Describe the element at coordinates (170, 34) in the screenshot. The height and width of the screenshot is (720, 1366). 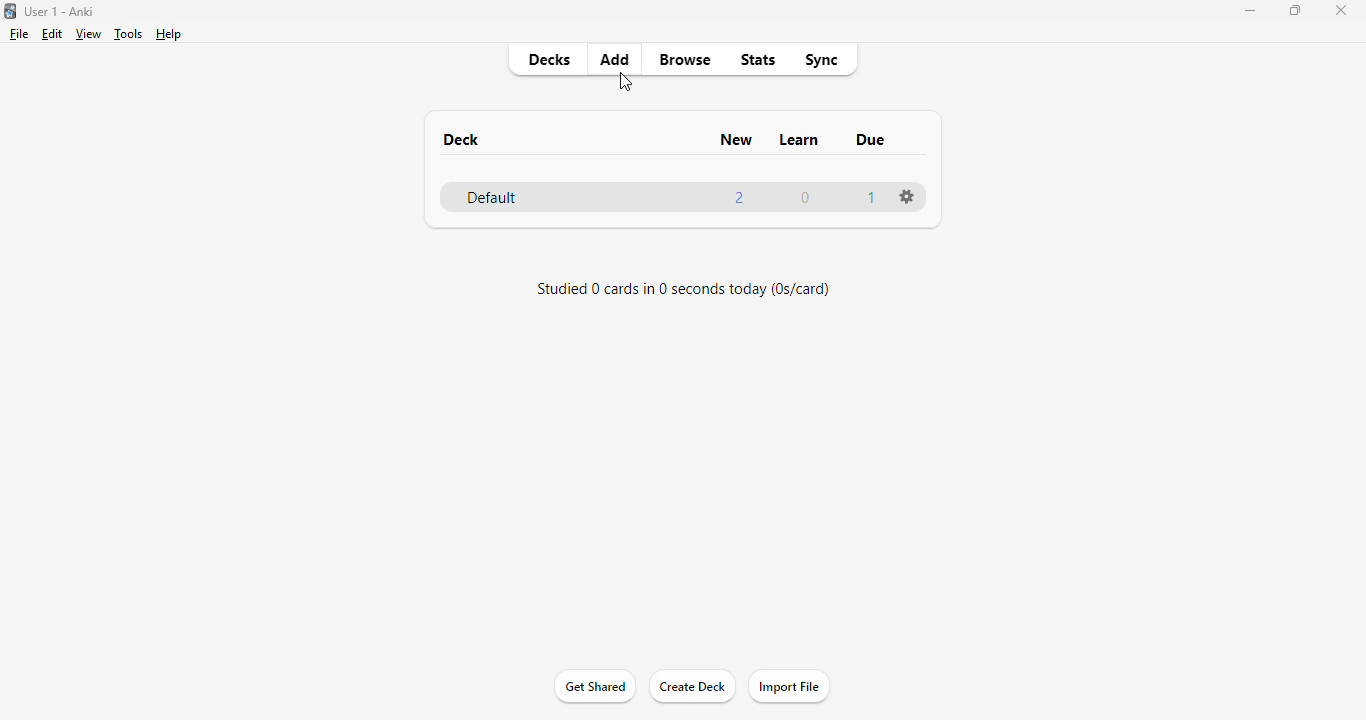
I see `help` at that location.